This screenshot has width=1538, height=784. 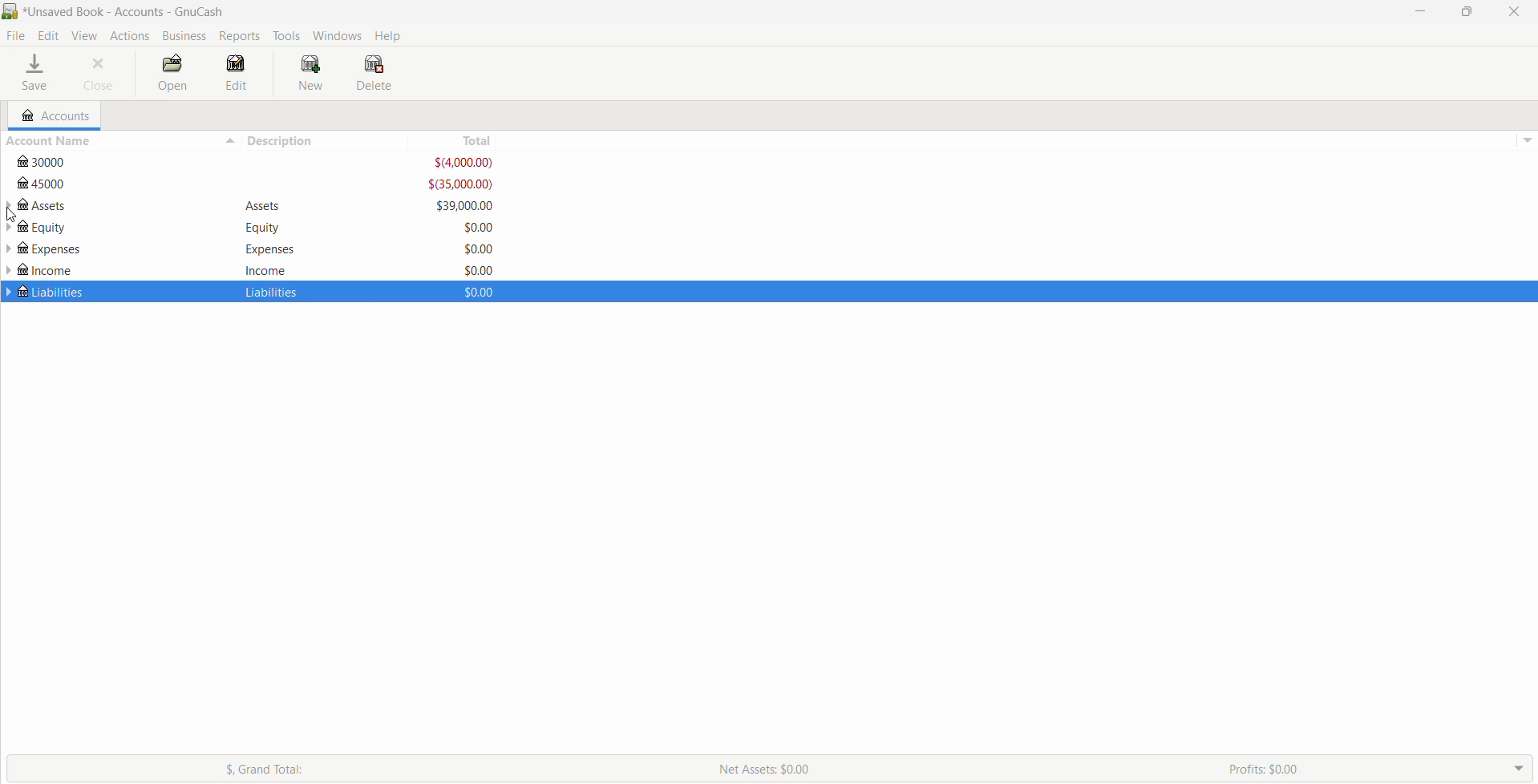 I want to click on Total, so click(x=963, y=139).